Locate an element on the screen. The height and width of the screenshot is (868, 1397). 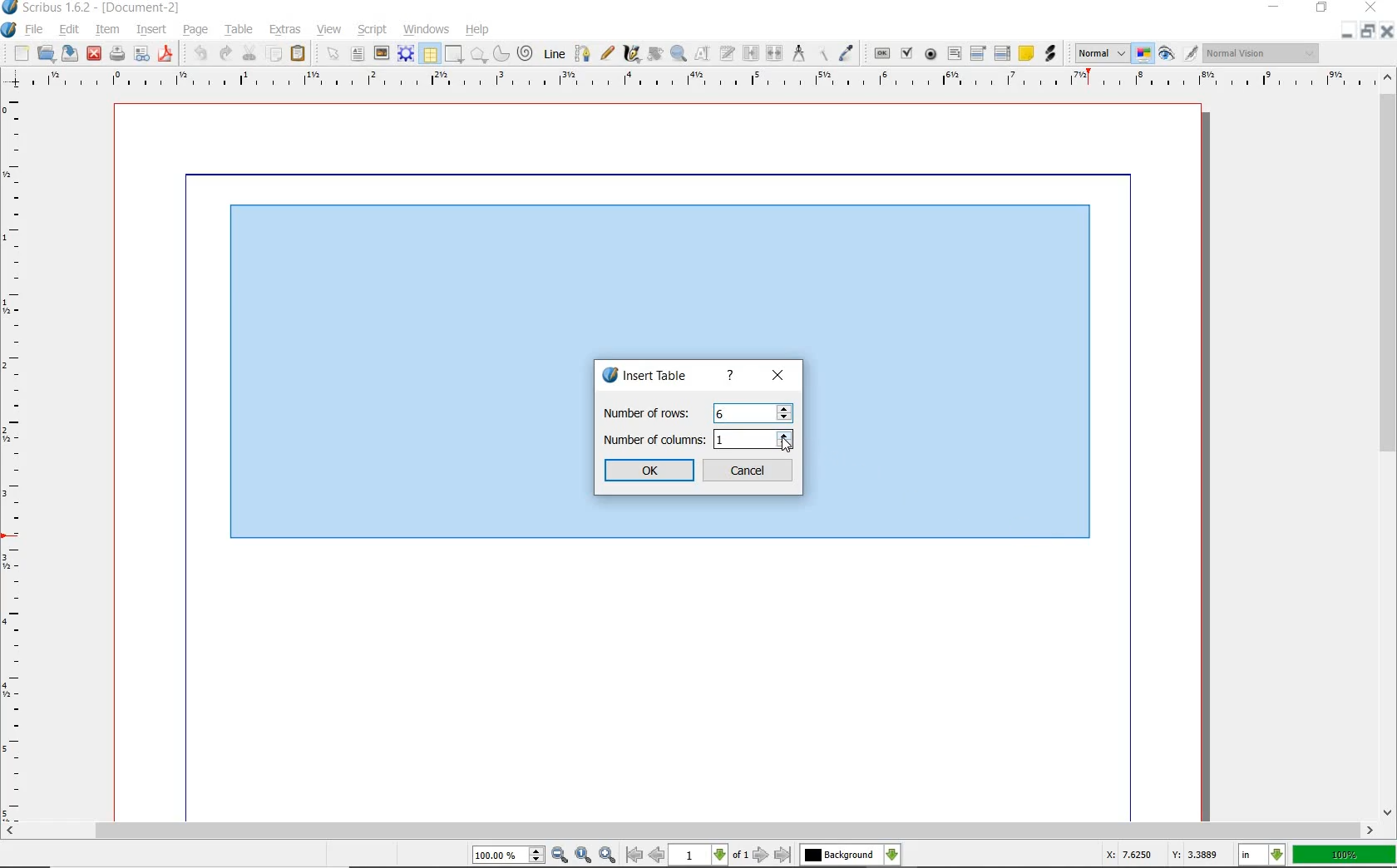
edit in preview mode is located at coordinates (1190, 53).